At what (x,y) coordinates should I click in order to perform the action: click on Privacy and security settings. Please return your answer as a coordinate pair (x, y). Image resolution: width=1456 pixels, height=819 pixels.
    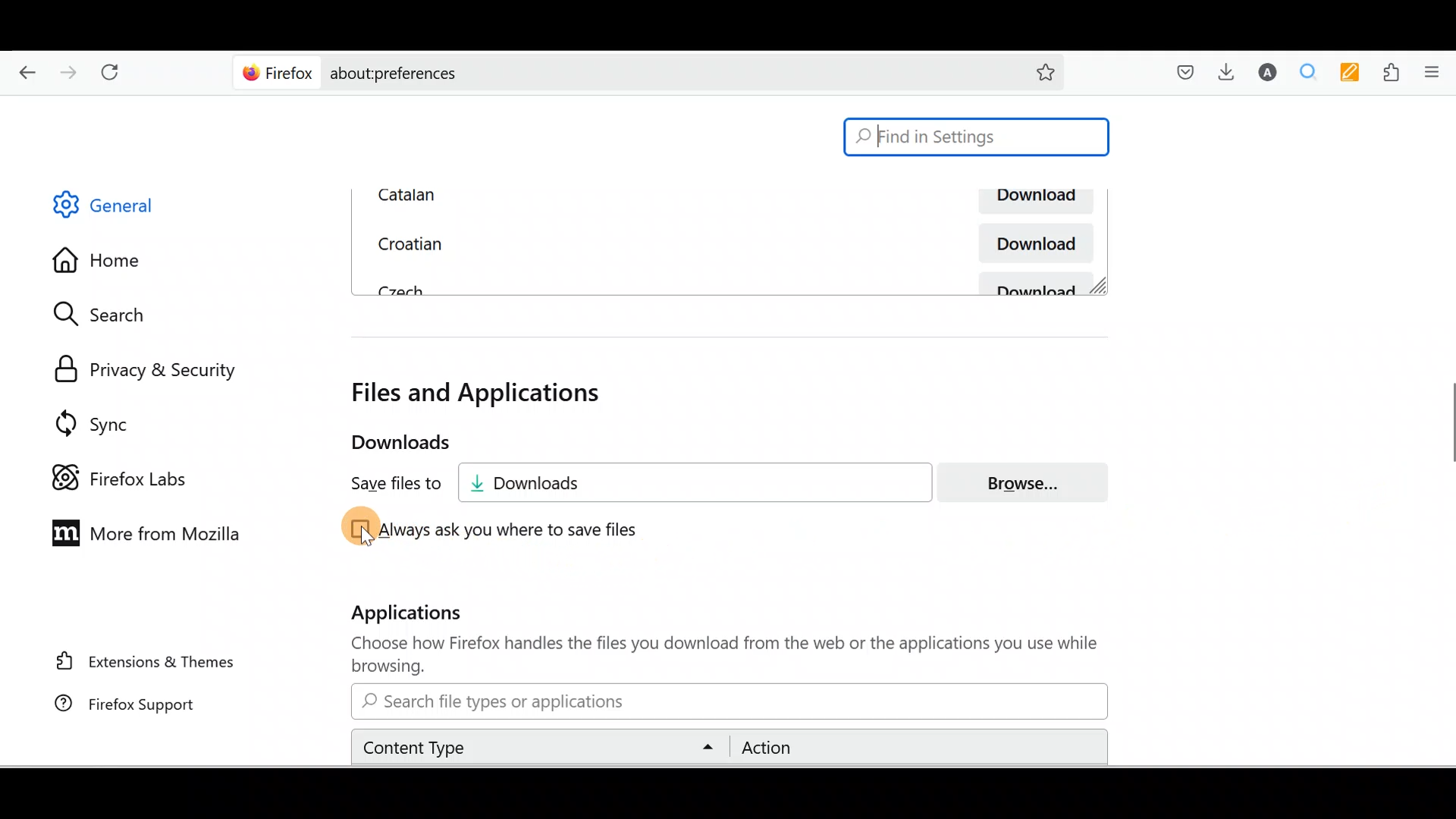
    Looking at the image, I should click on (139, 366).